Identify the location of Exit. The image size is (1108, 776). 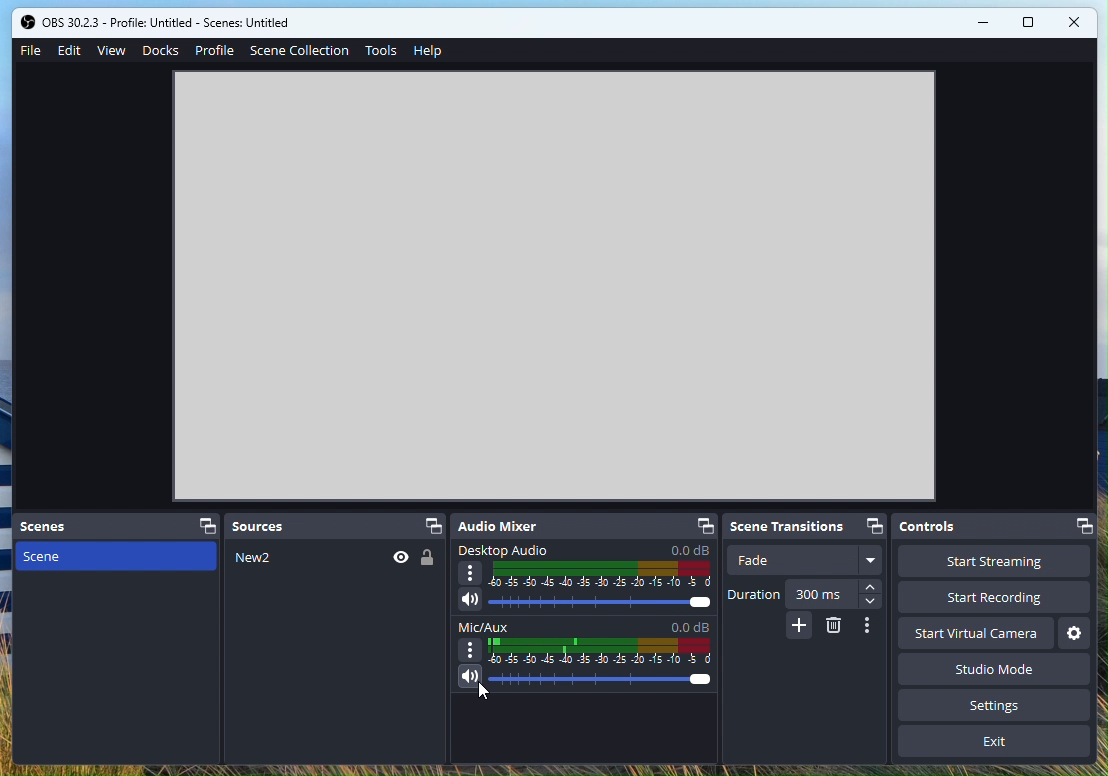
(994, 742).